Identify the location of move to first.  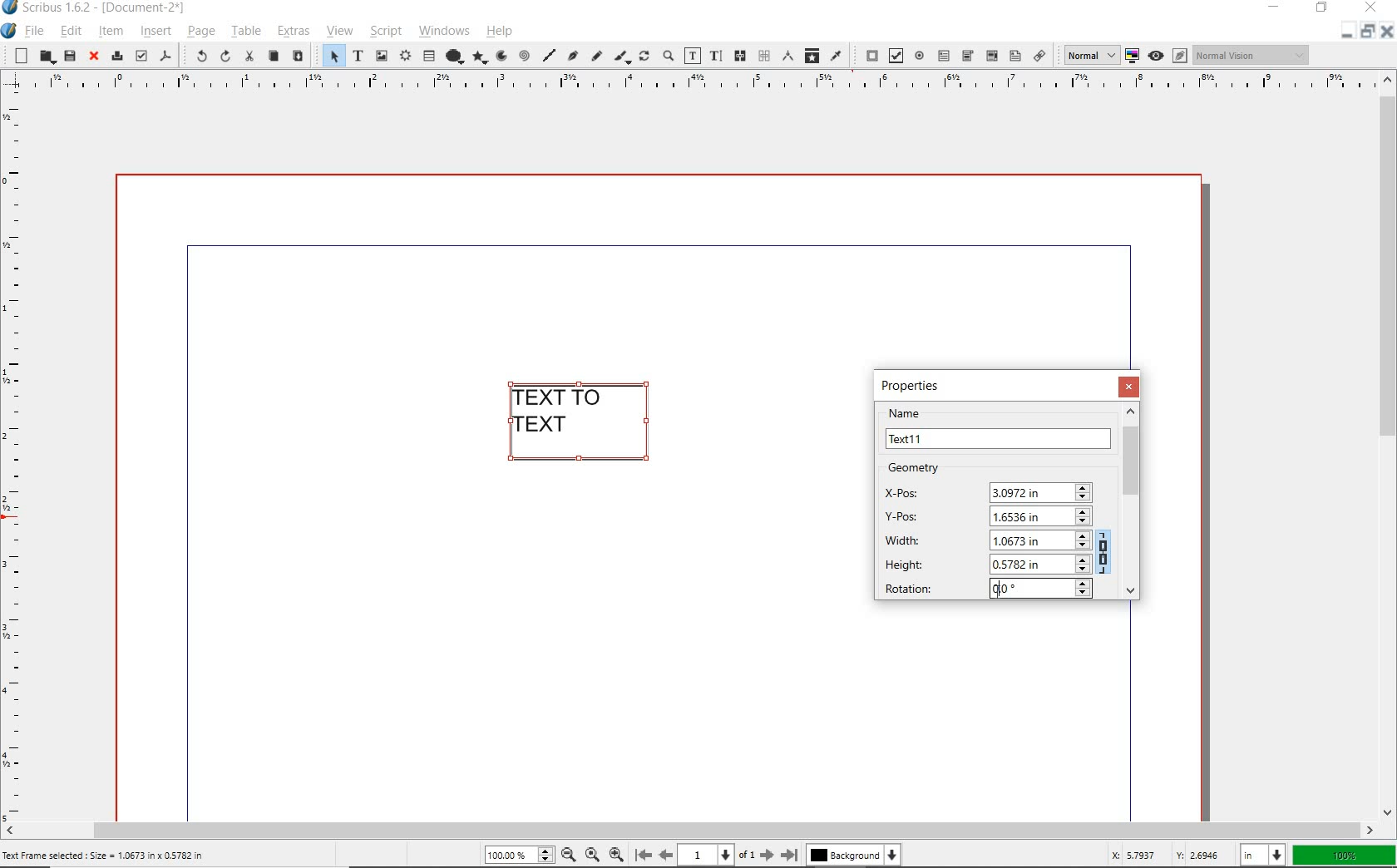
(643, 856).